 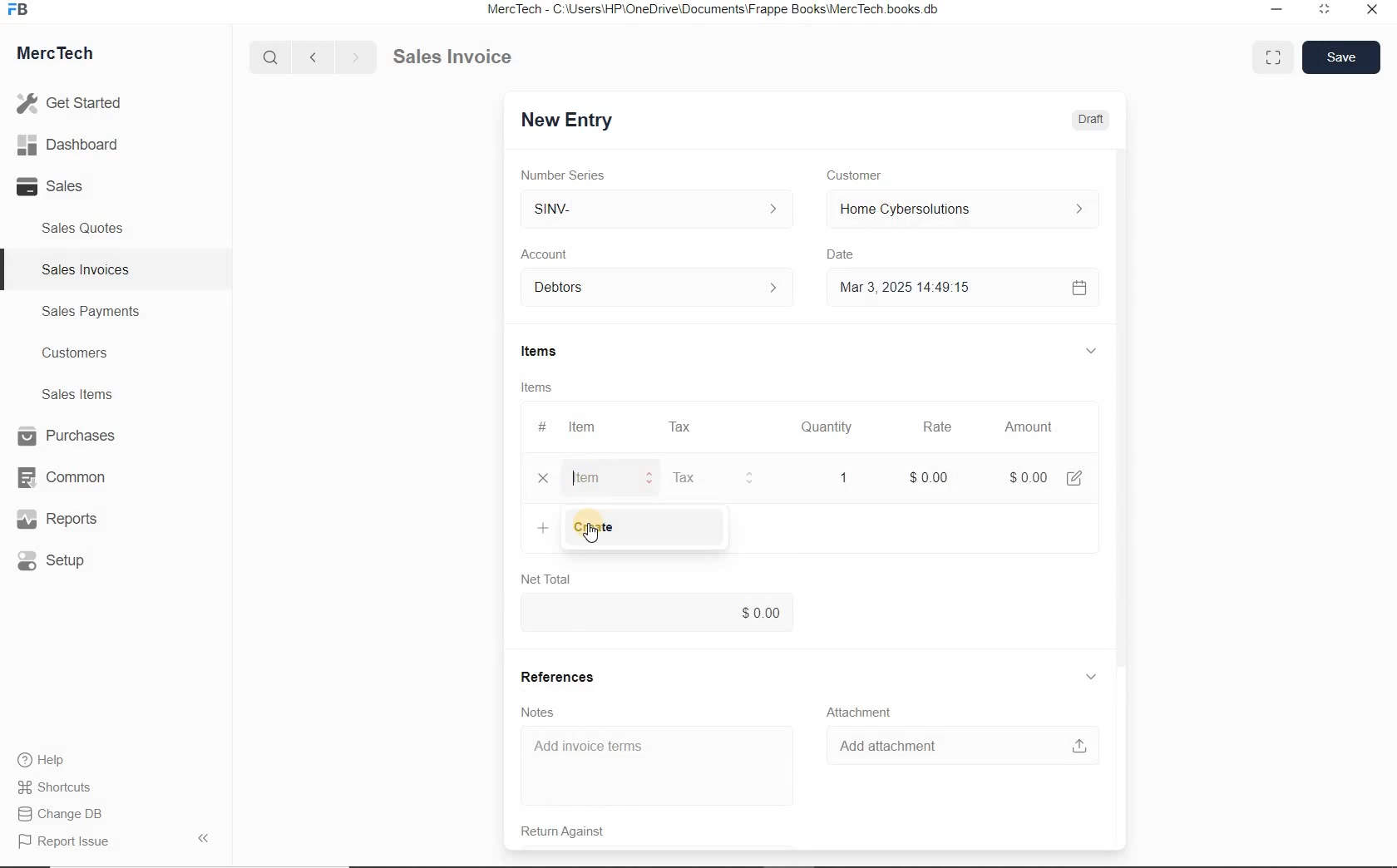 I want to click on plus, so click(x=543, y=526).